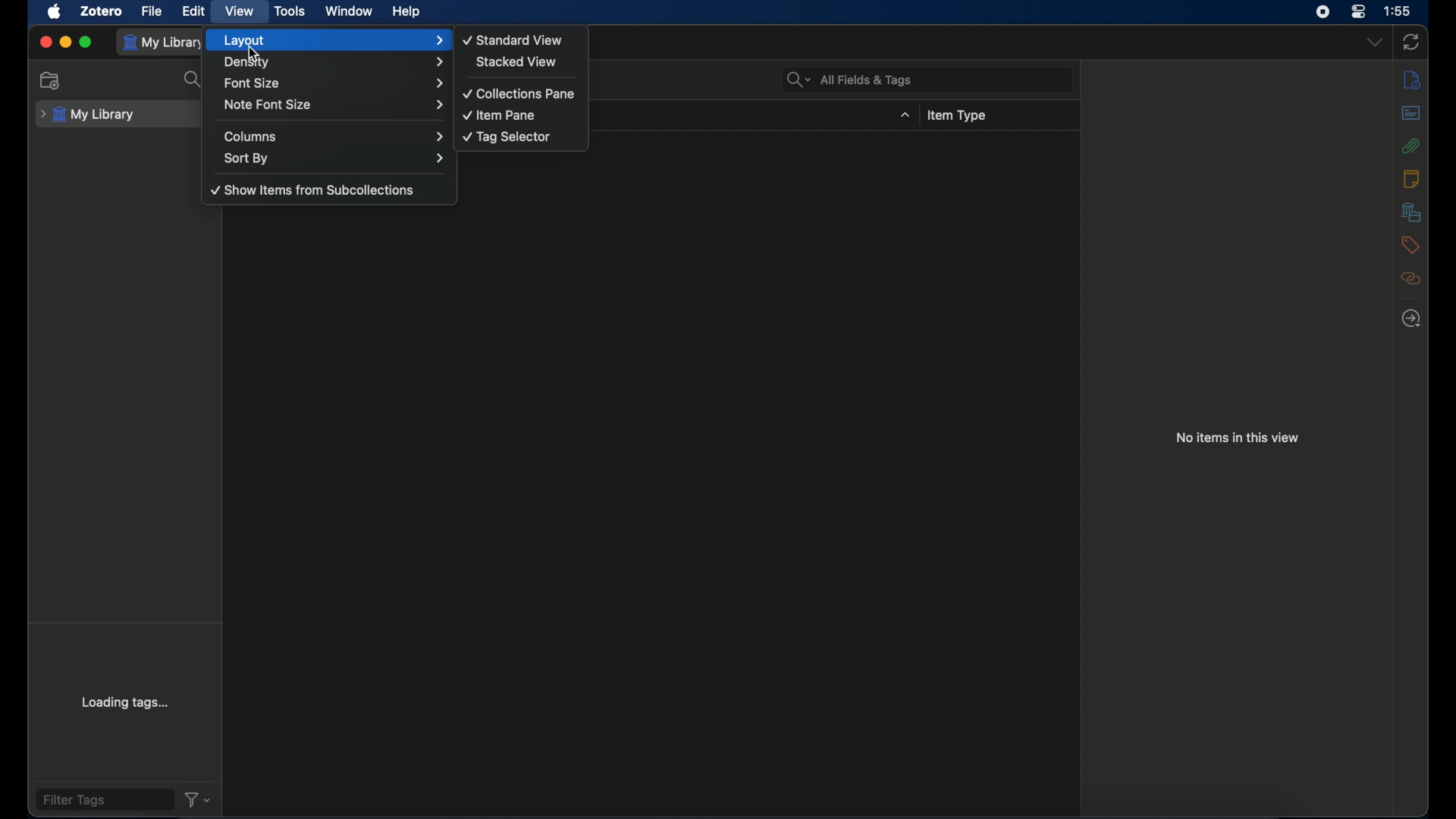  Describe the element at coordinates (500, 115) in the screenshot. I see `item pane` at that location.